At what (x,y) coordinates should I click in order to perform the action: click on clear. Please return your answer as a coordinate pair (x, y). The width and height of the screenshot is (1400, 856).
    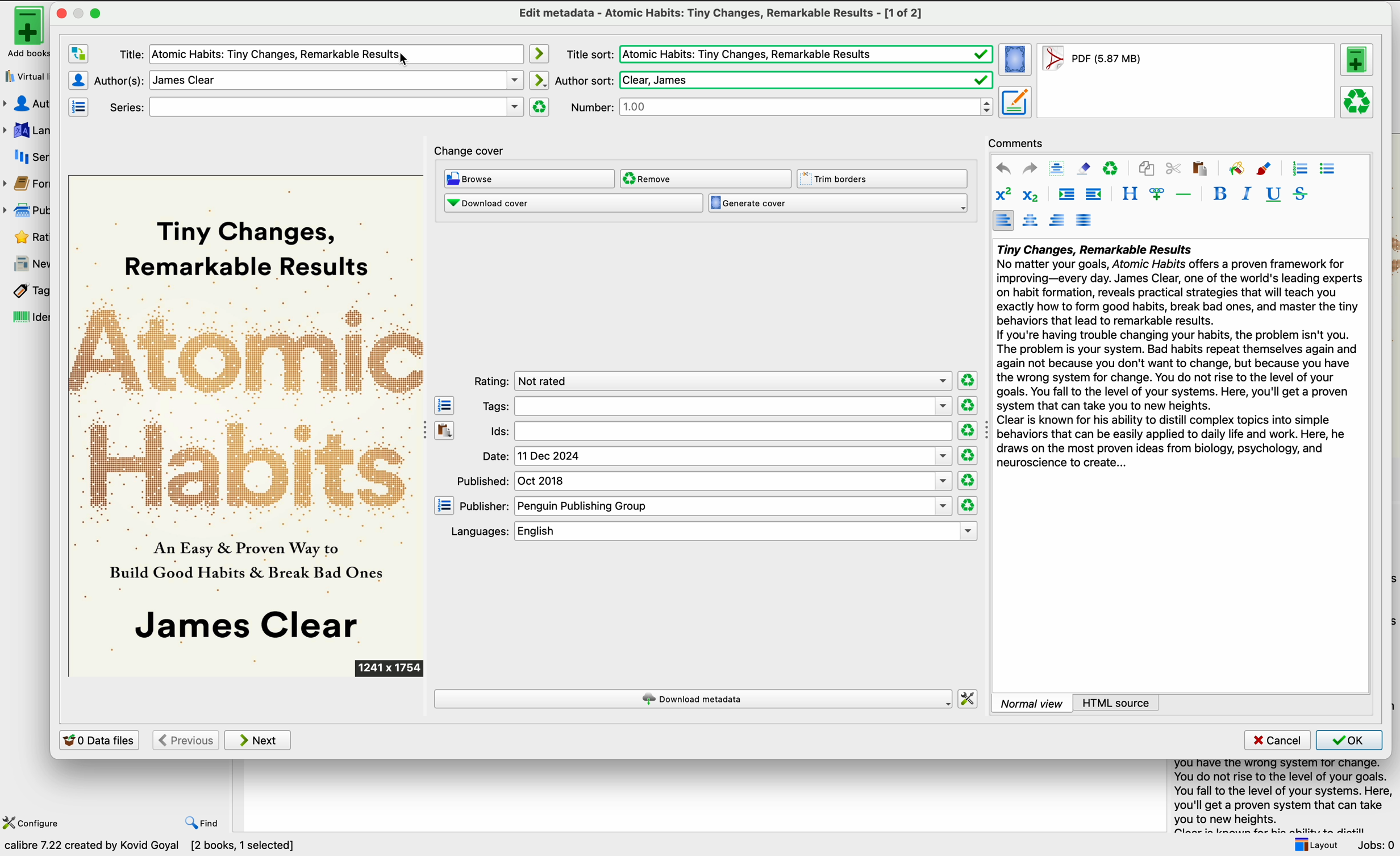
    Looking at the image, I should click on (1111, 168).